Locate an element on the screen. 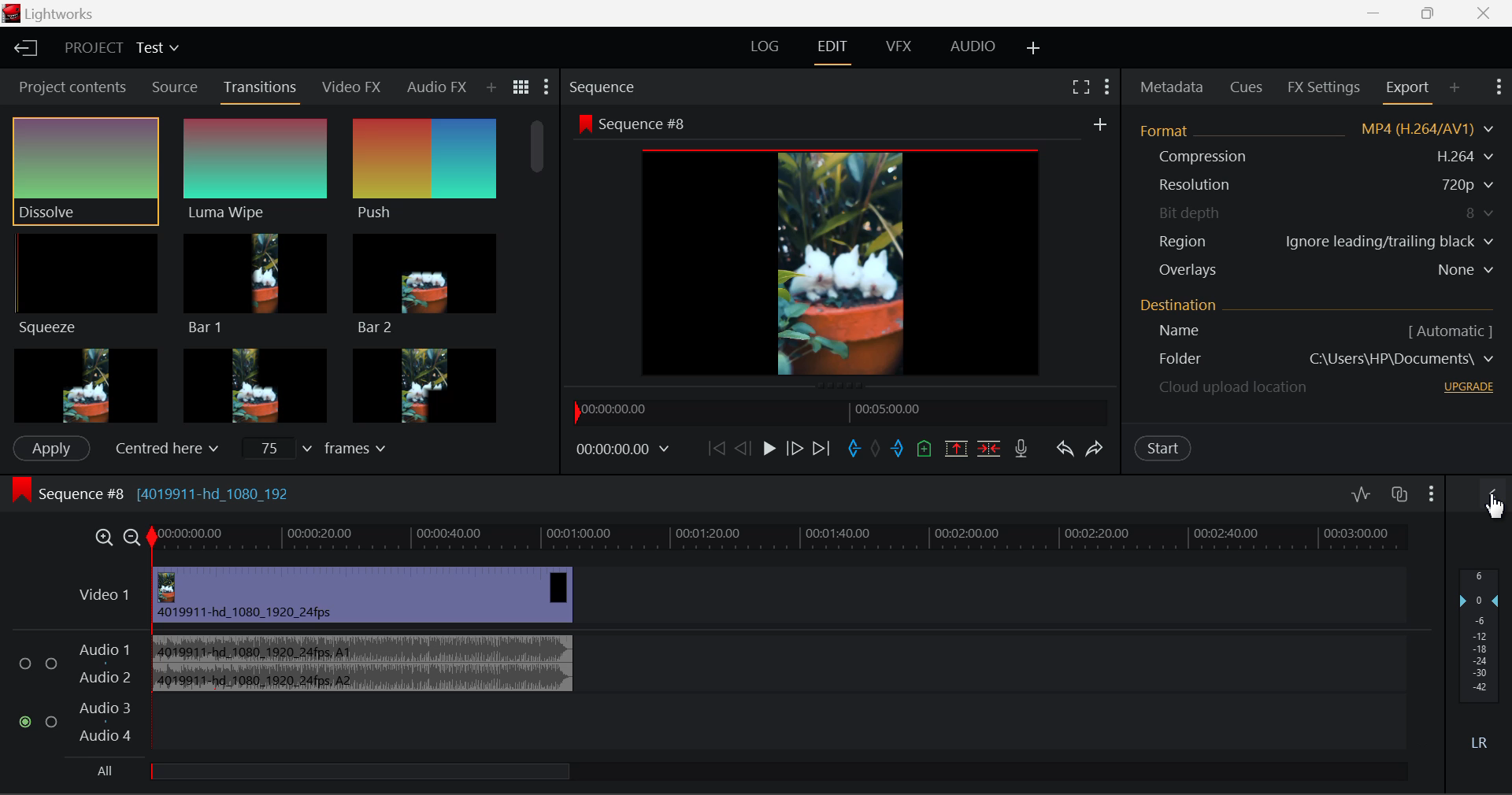  Overlays is located at coordinates (1317, 269).